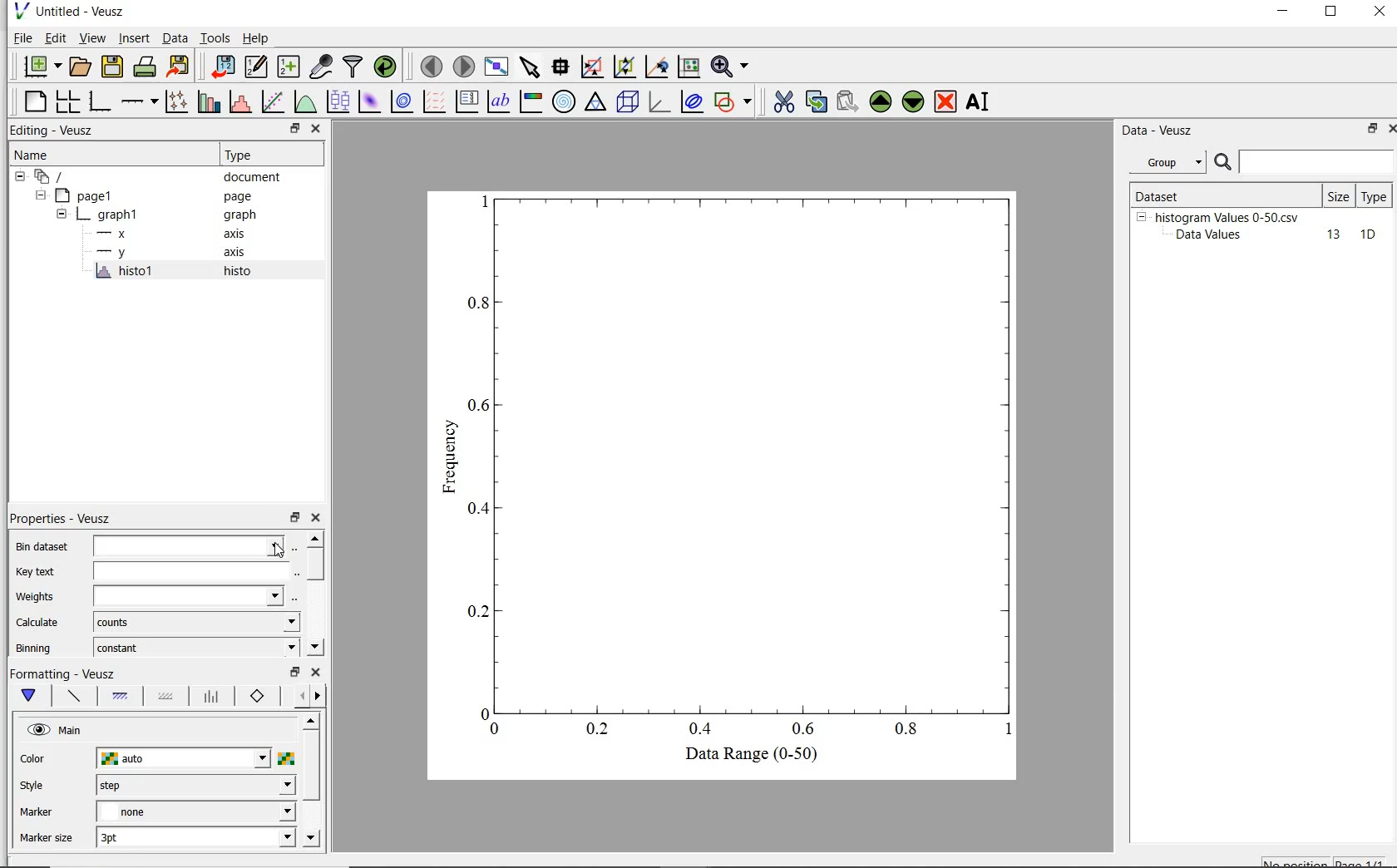  Describe the element at coordinates (733, 103) in the screenshot. I see `add shape` at that location.